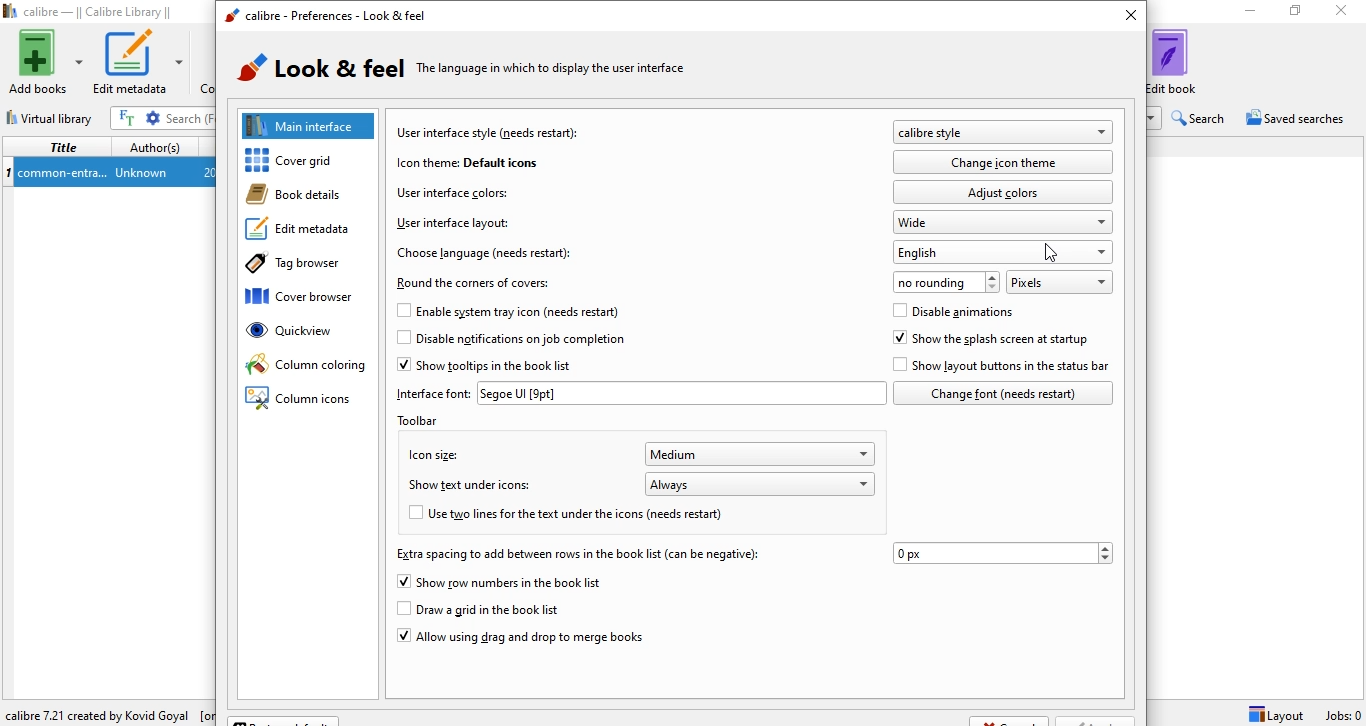 The image size is (1366, 726). I want to click on advanced search, so click(154, 118).